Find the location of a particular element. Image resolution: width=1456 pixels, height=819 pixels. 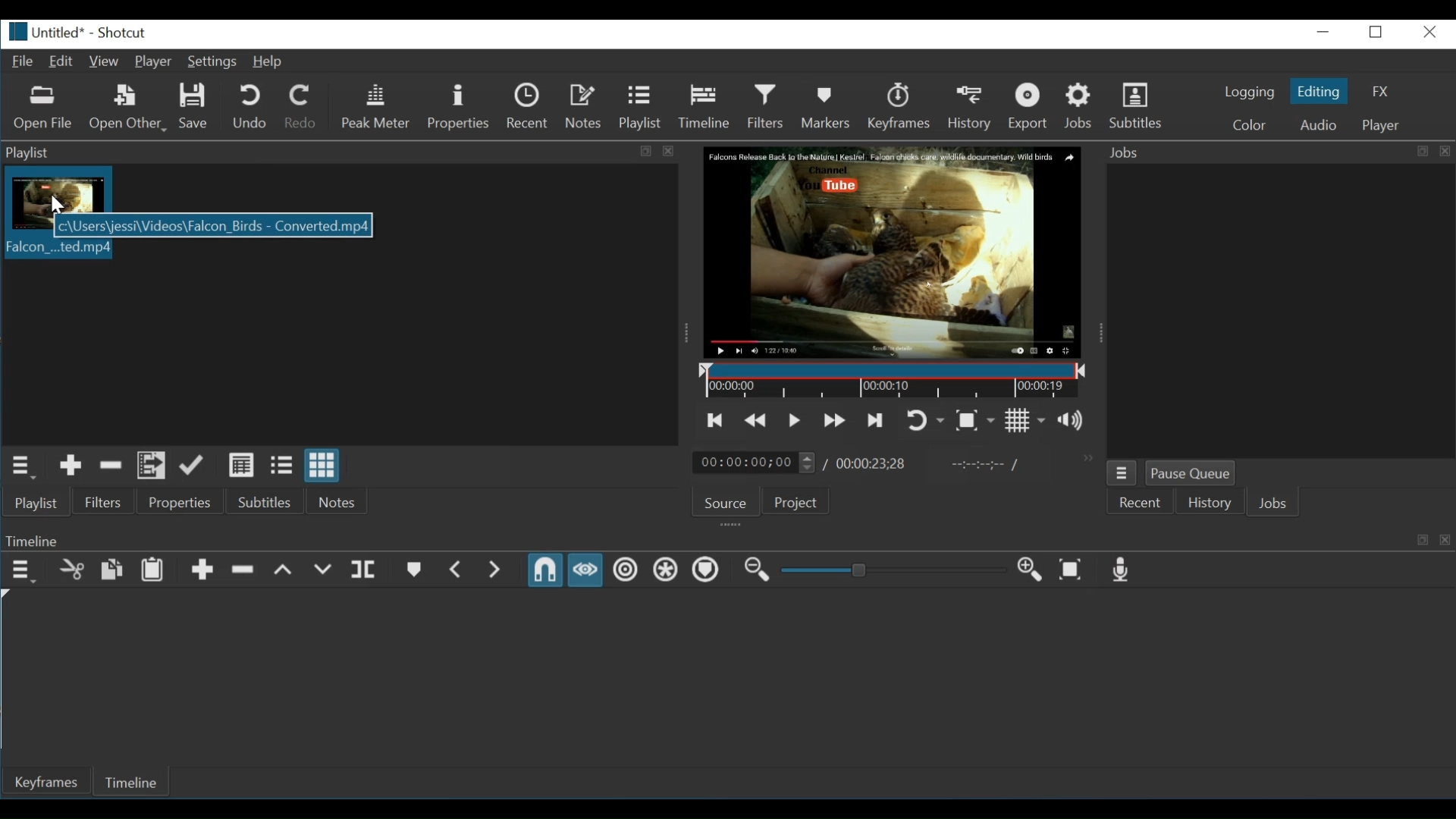

Split at playhead is located at coordinates (366, 570).